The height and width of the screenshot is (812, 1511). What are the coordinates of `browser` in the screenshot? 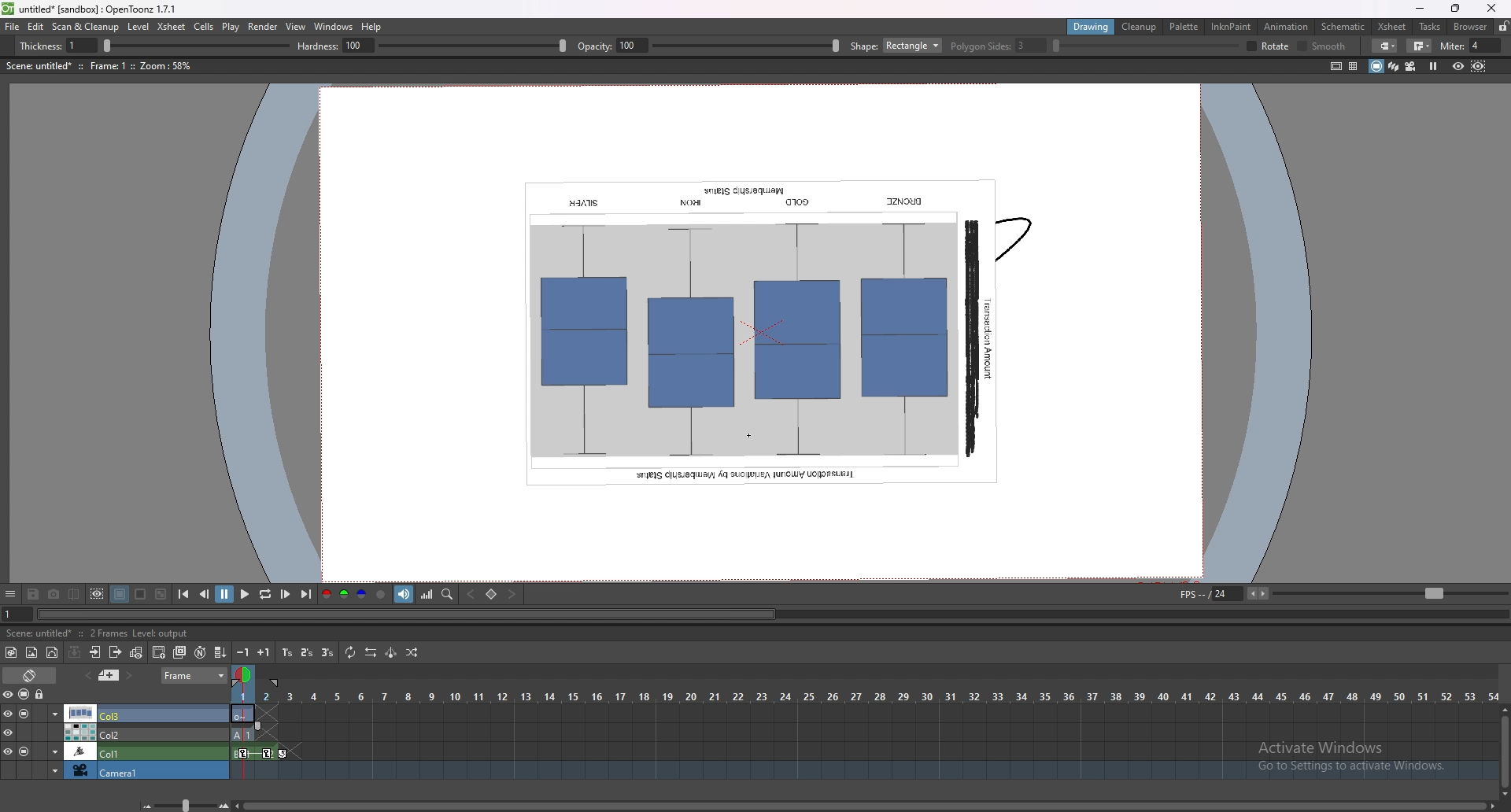 It's located at (1471, 27).